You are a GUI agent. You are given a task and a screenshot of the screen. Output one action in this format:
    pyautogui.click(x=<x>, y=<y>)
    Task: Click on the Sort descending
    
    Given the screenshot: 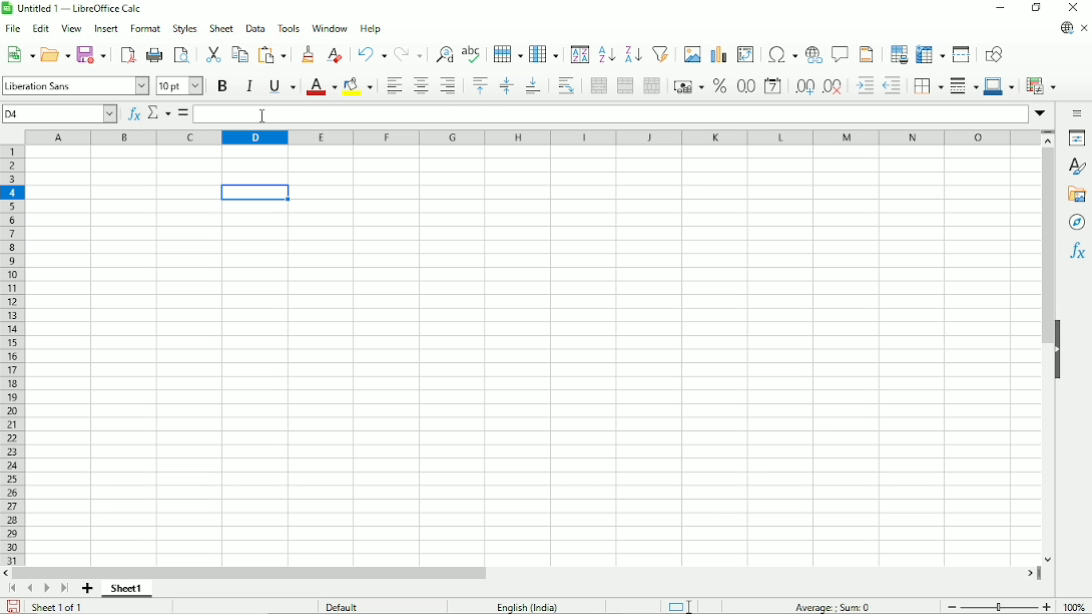 What is the action you would take?
    pyautogui.click(x=633, y=54)
    